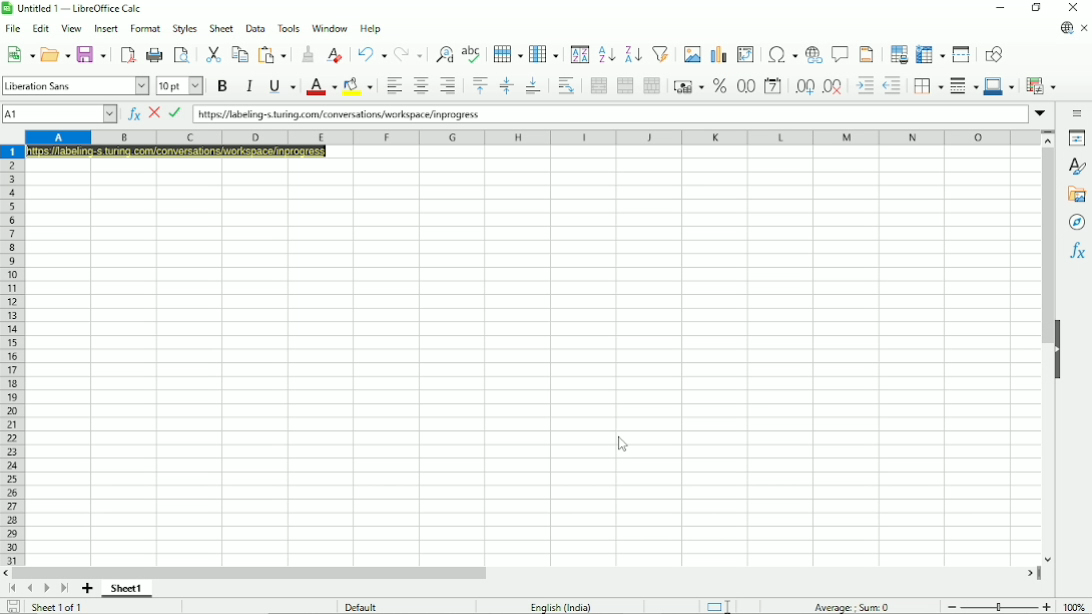 Image resolution: width=1092 pixels, height=614 pixels. I want to click on Hide, so click(1059, 352).